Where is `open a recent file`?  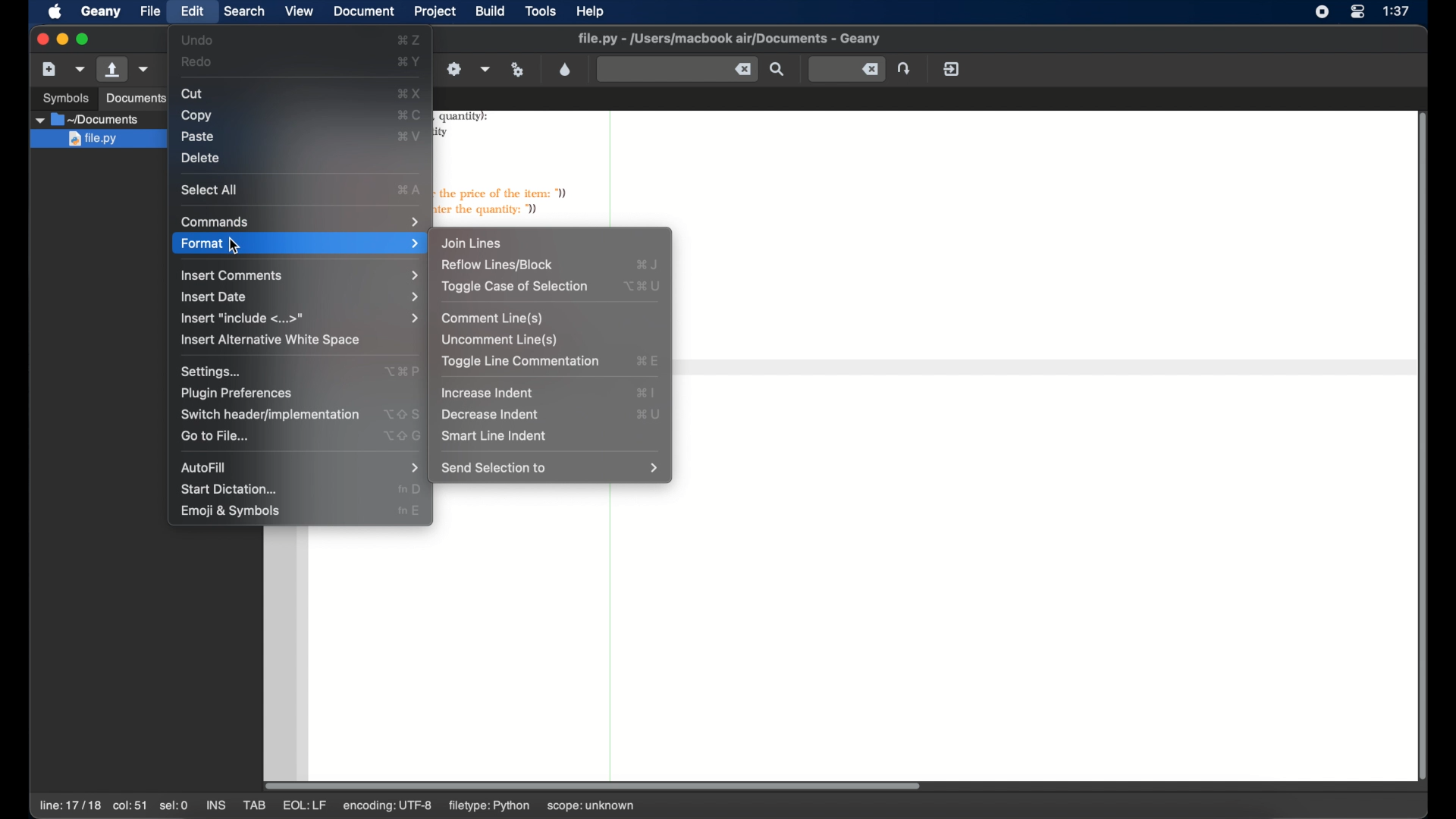
open a recent file is located at coordinates (144, 69).